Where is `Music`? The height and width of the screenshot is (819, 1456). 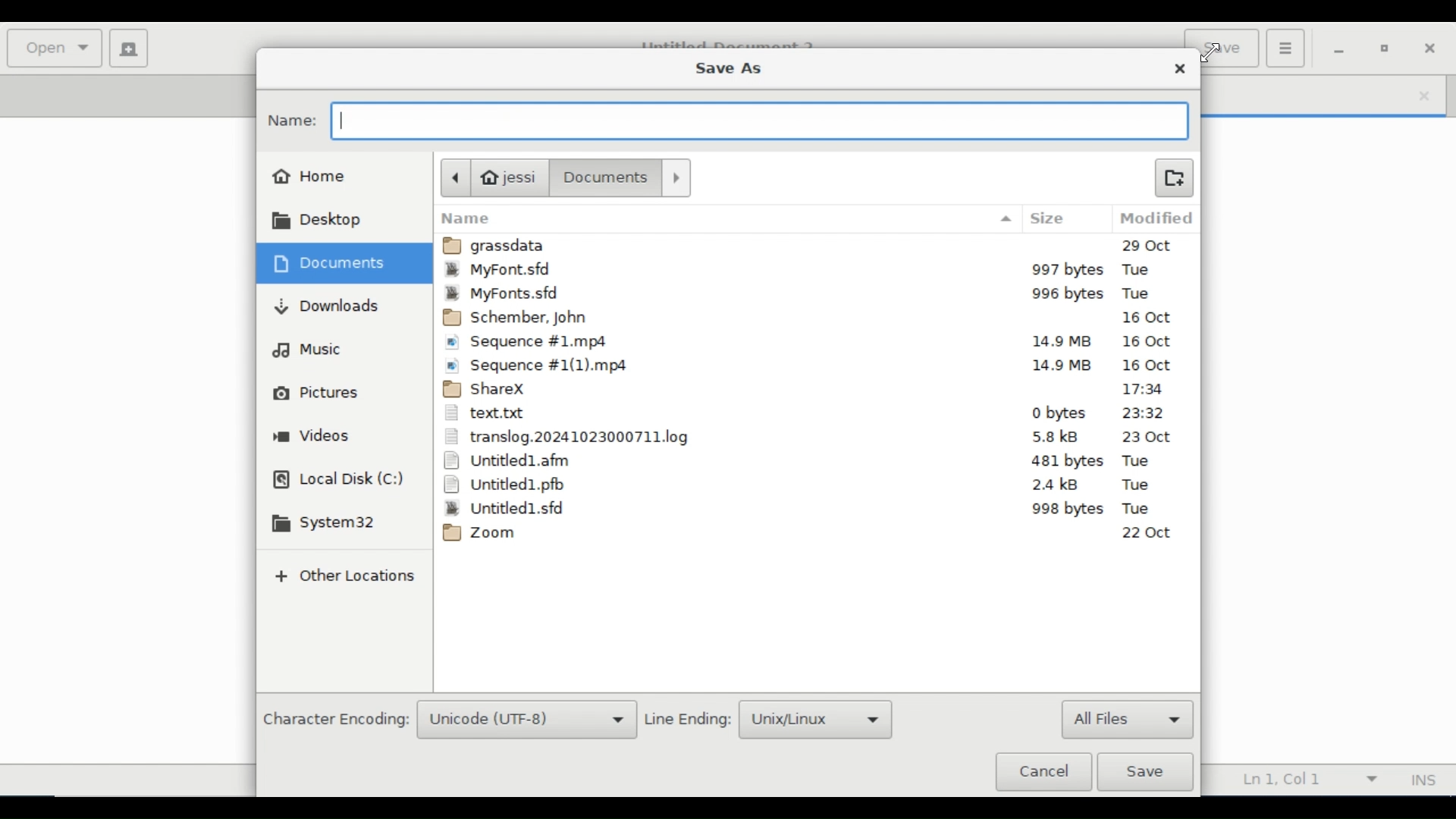 Music is located at coordinates (316, 352).